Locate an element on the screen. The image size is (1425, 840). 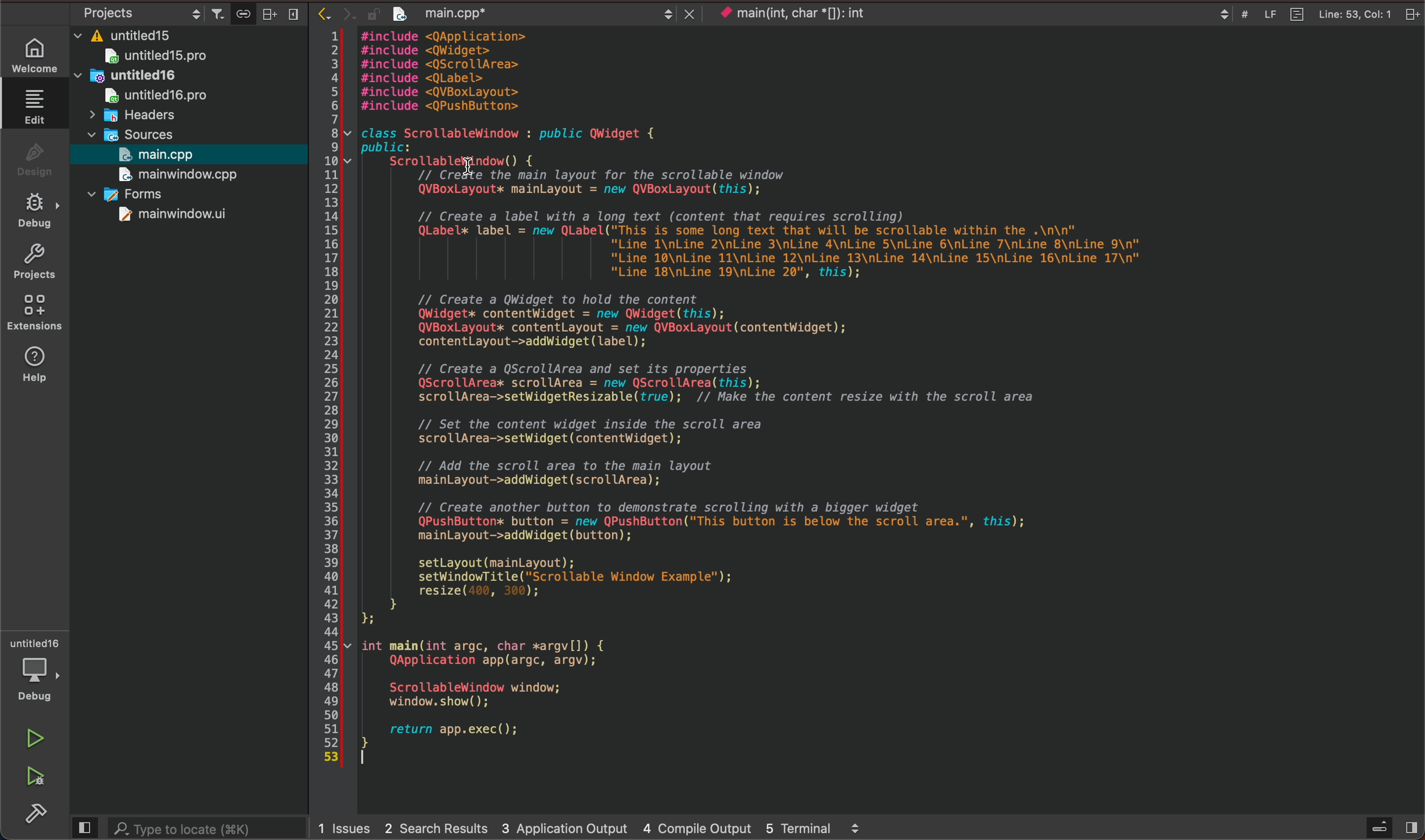
close slide bar is located at coordinates (86, 828).